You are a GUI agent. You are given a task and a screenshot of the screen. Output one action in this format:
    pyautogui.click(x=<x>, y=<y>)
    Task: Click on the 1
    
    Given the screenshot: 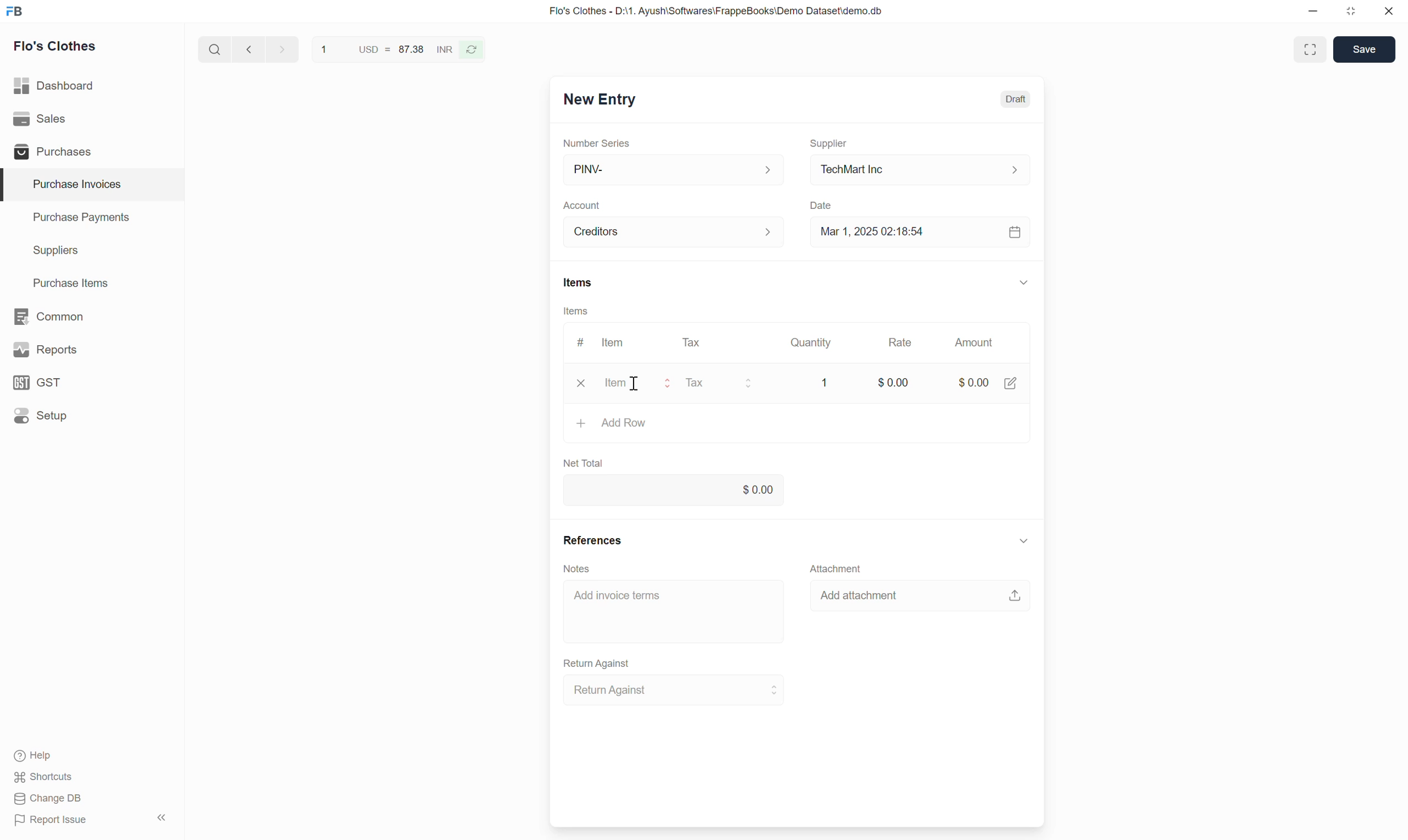 What is the action you would take?
    pyautogui.click(x=821, y=380)
    